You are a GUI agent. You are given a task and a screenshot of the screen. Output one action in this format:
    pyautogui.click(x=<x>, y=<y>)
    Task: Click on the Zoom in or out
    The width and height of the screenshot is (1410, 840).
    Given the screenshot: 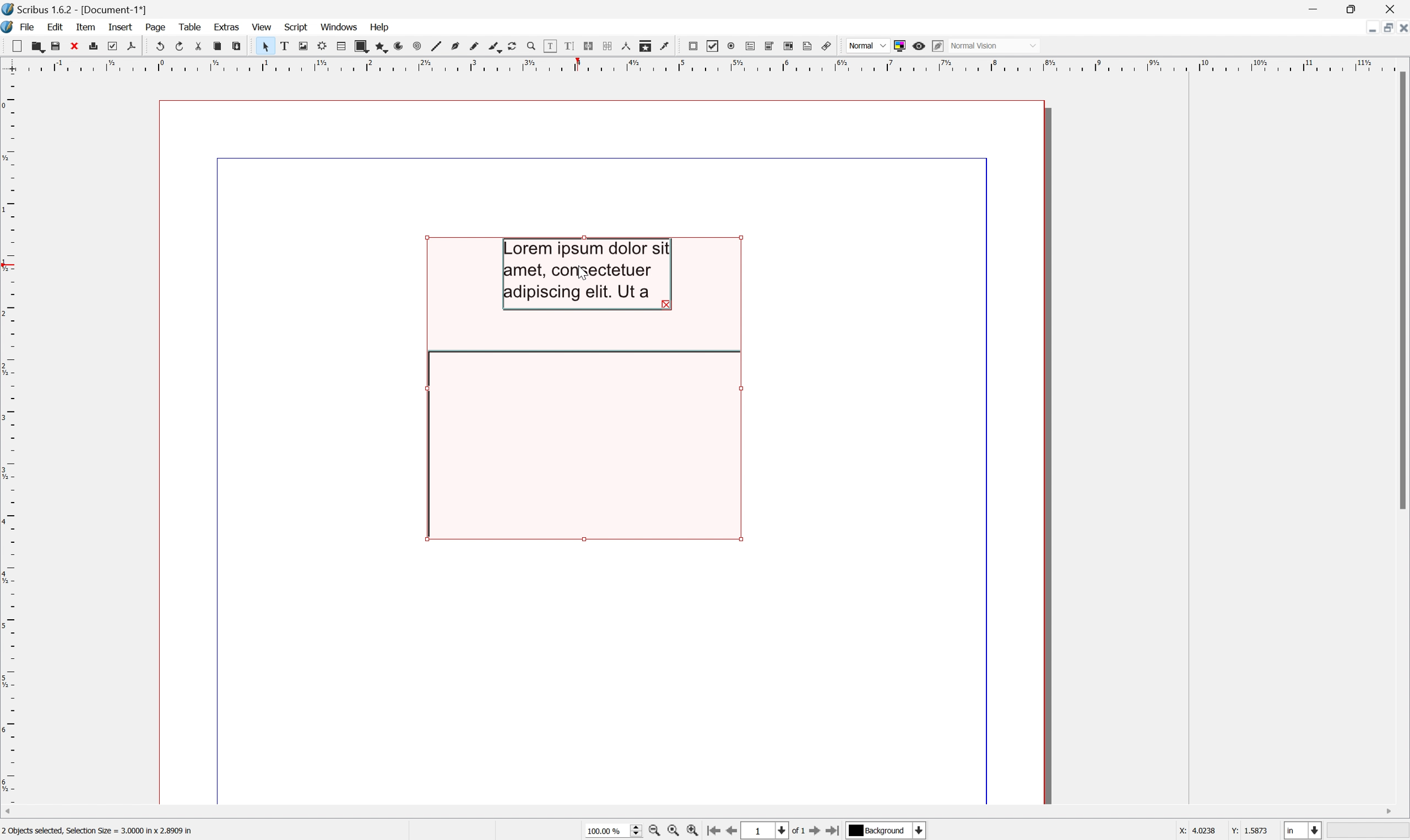 What is the action you would take?
    pyautogui.click(x=529, y=46)
    